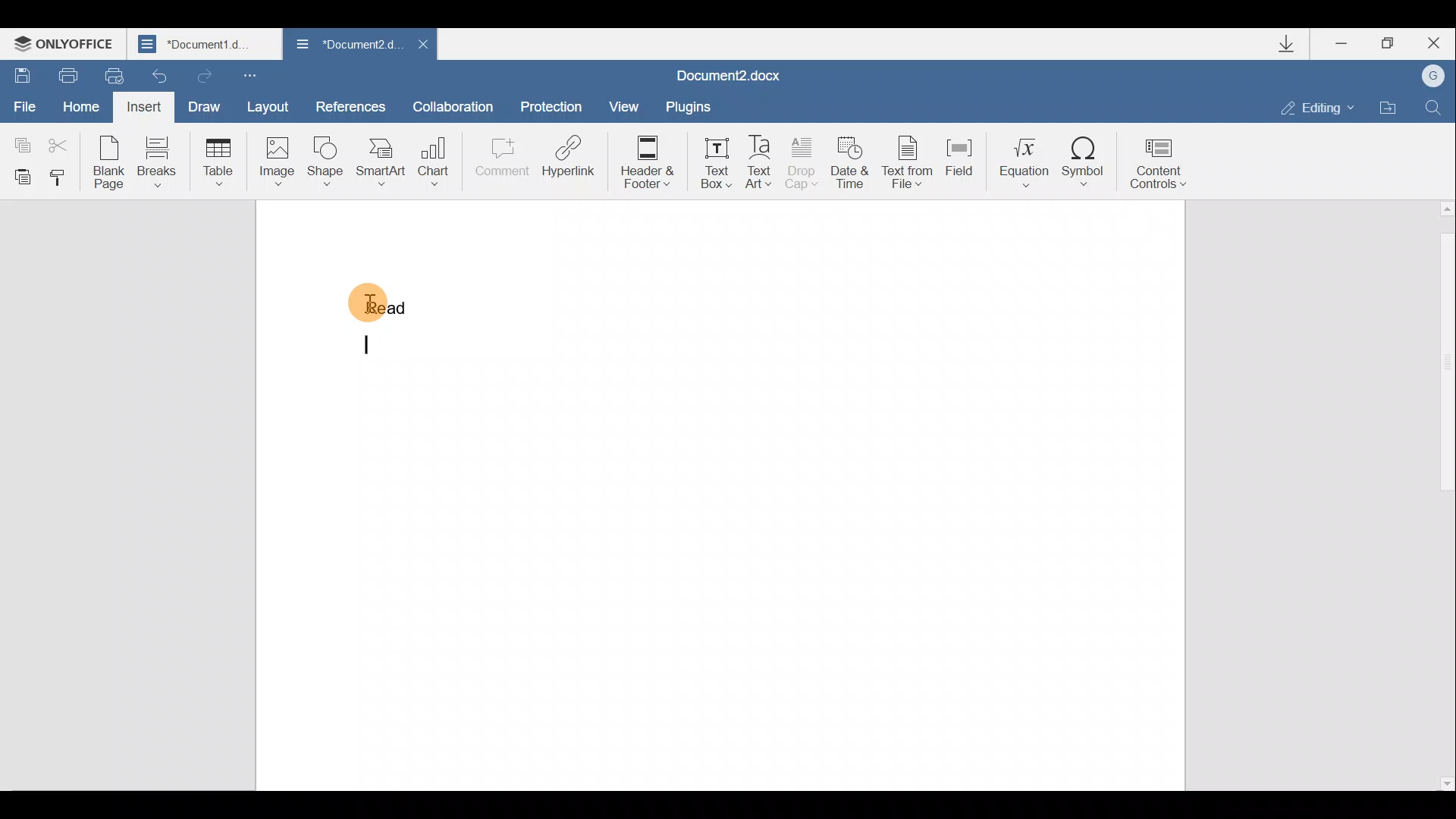 The image size is (1456, 819). Describe the element at coordinates (23, 101) in the screenshot. I see `File` at that location.